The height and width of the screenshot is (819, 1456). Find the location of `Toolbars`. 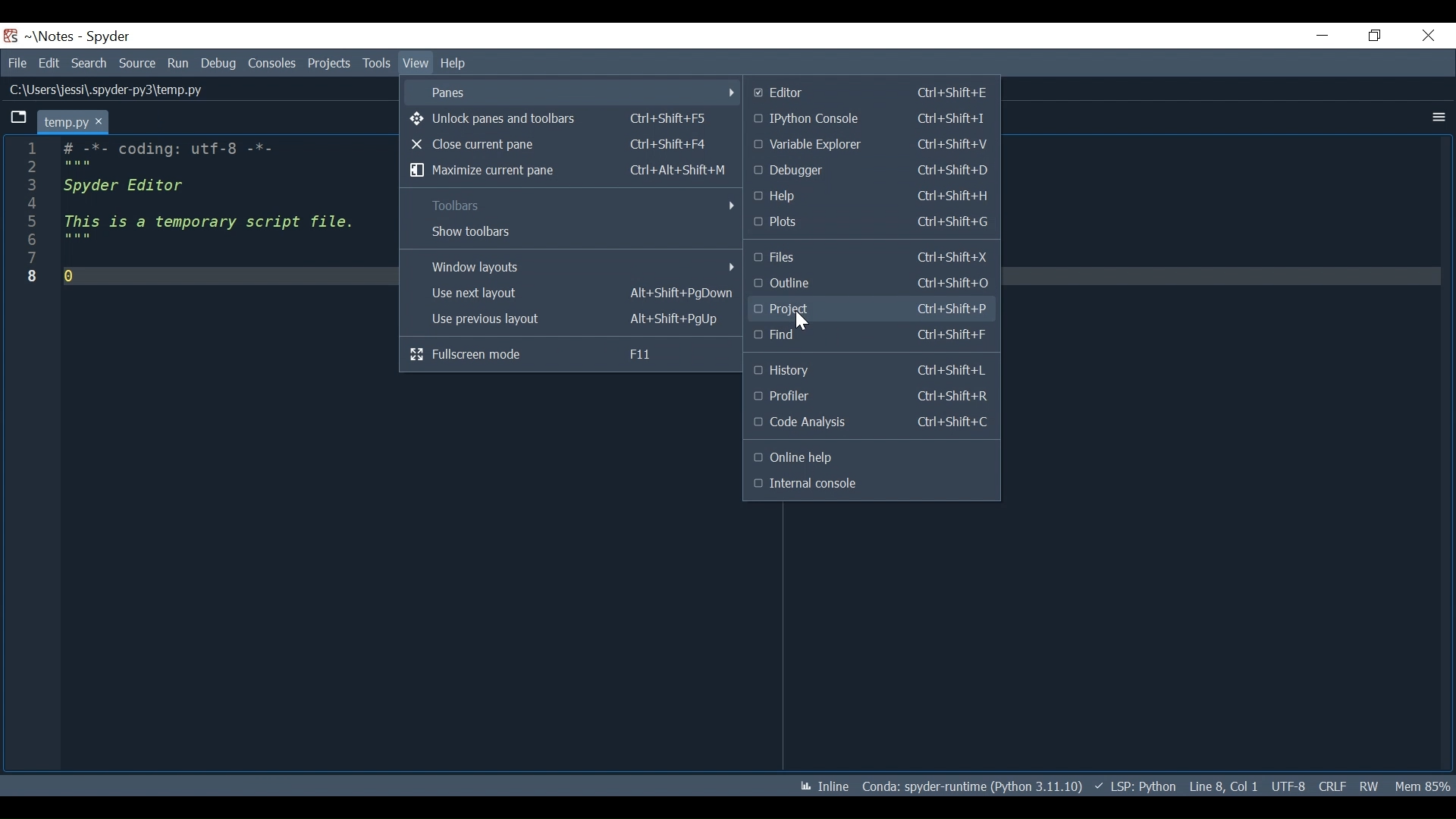

Toolbars is located at coordinates (571, 206).